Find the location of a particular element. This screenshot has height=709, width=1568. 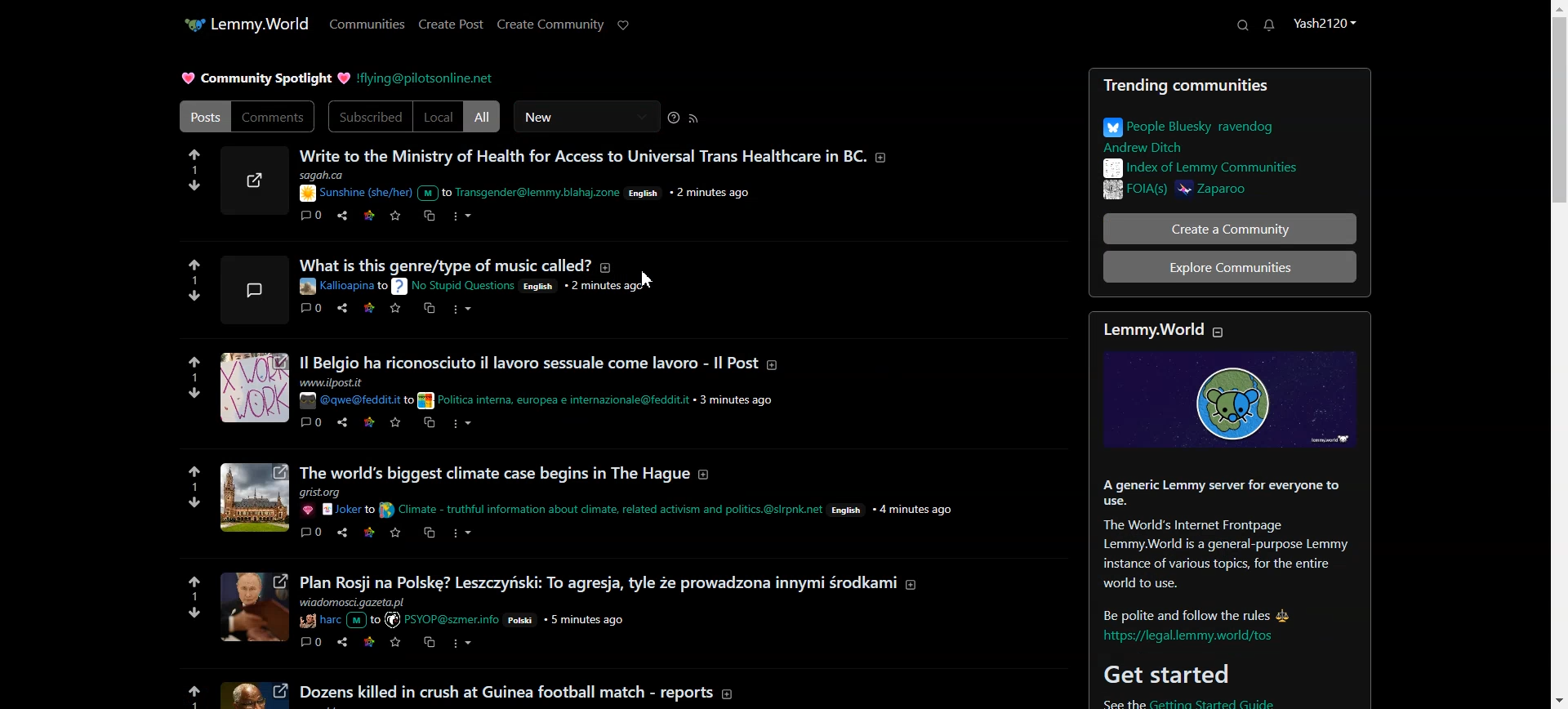

collapse is located at coordinates (1227, 331).